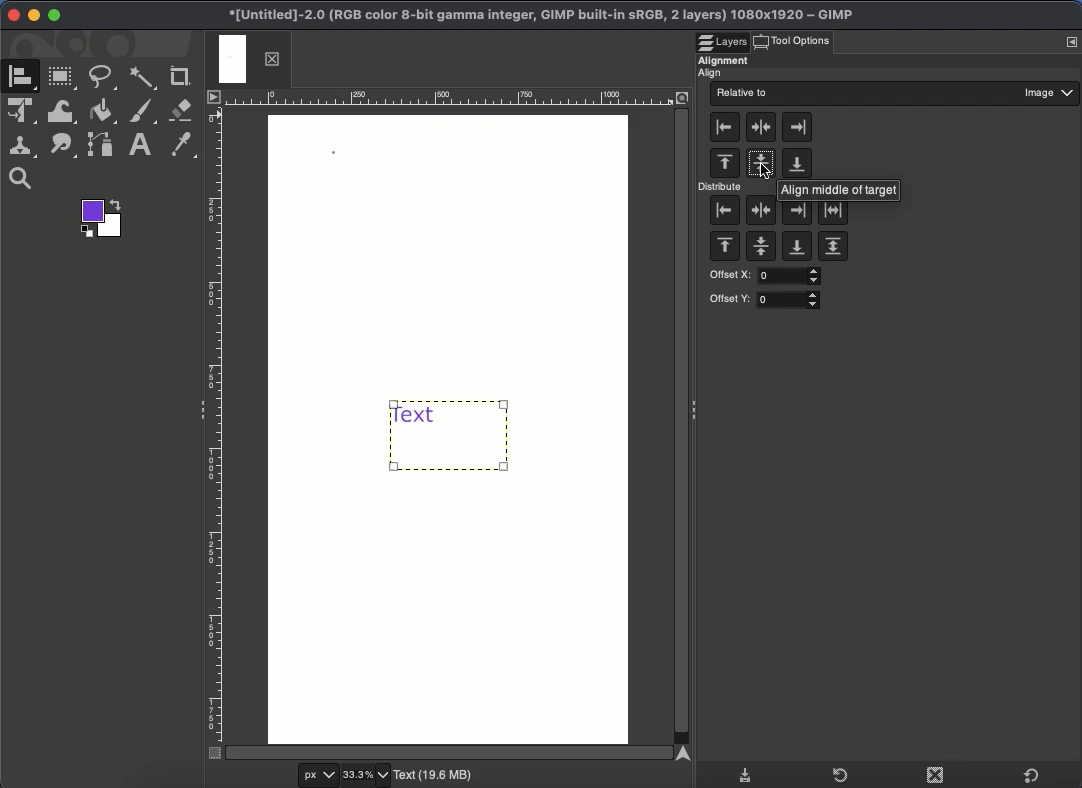  Describe the element at coordinates (683, 426) in the screenshot. I see `Scroll` at that location.